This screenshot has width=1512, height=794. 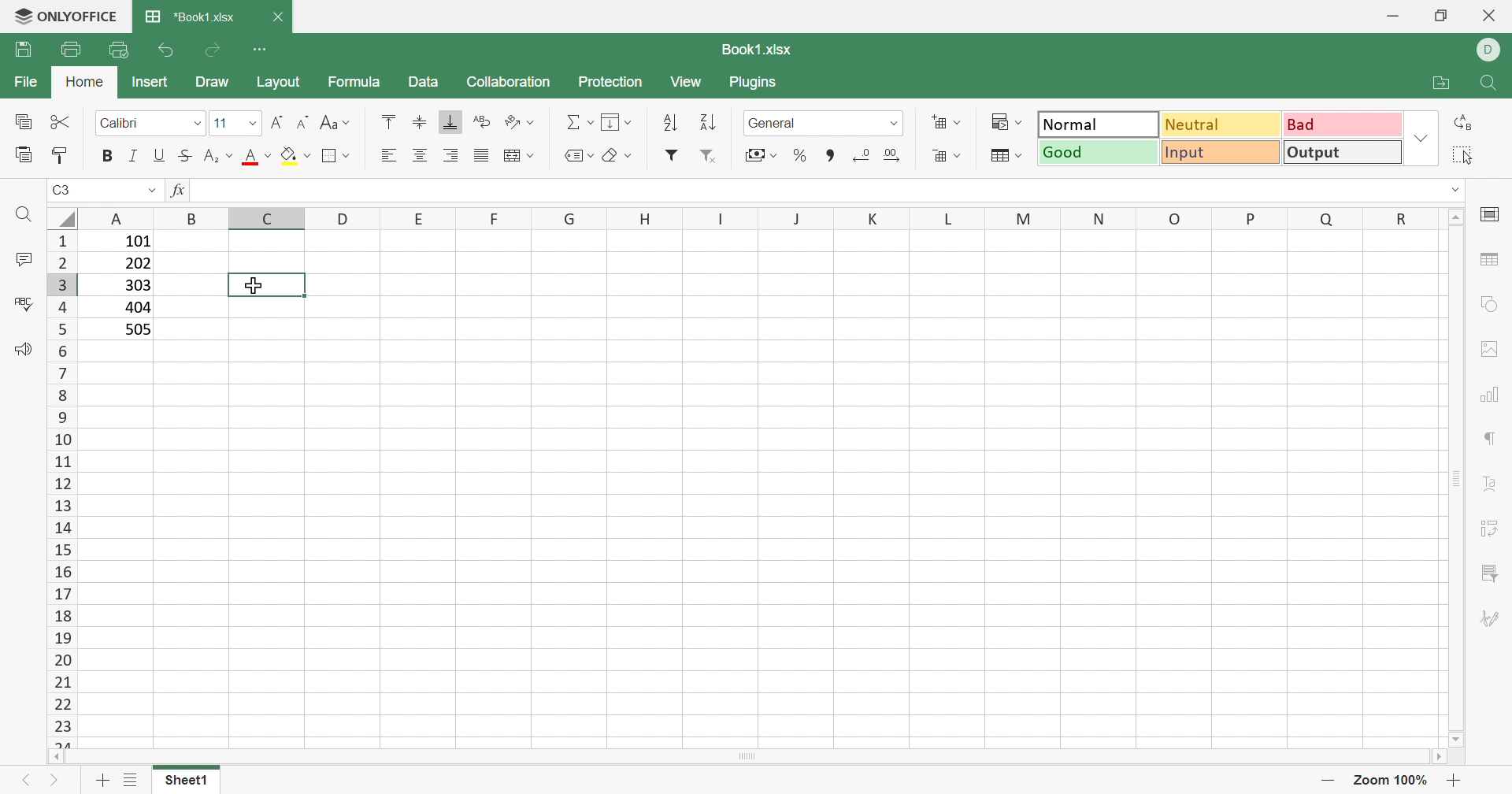 I want to click on comments, so click(x=23, y=258).